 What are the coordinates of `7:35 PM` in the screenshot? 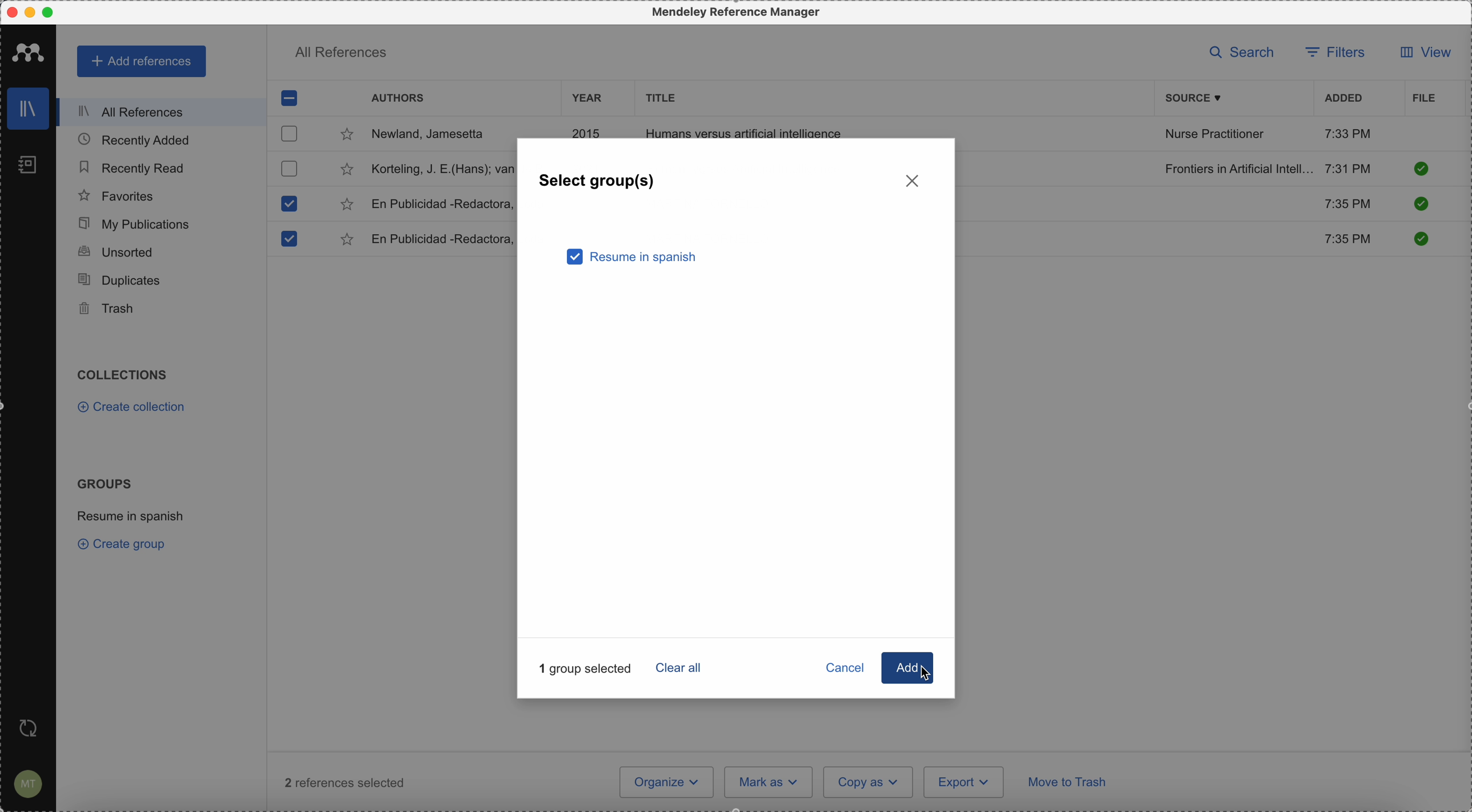 It's located at (1350, 240).